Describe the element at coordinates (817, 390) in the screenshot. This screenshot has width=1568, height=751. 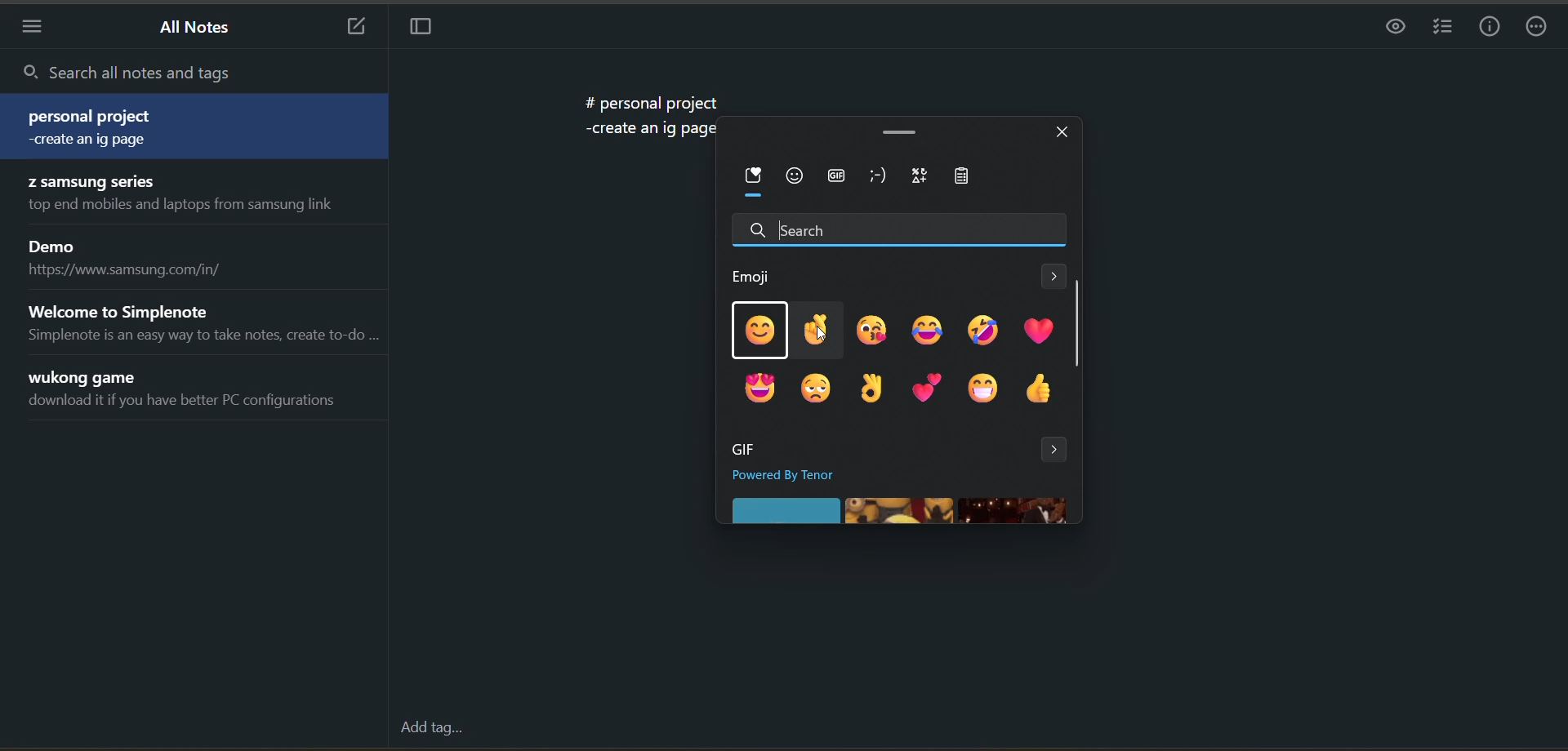
I see `emoji 8` at that location.